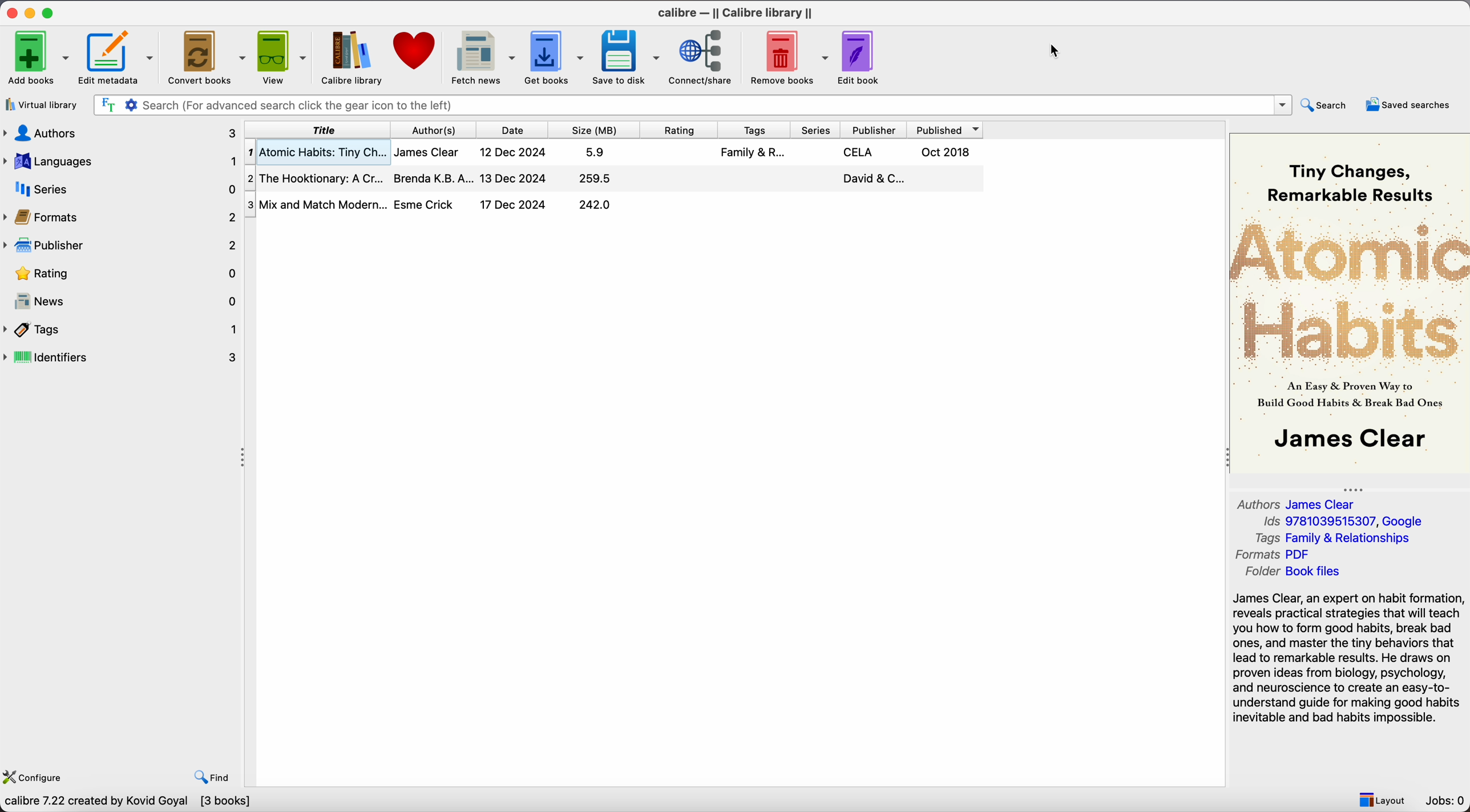  What do you see at coordinates (281, 57) in the screenshot?
I see `view` at bounding box center [281, 57].